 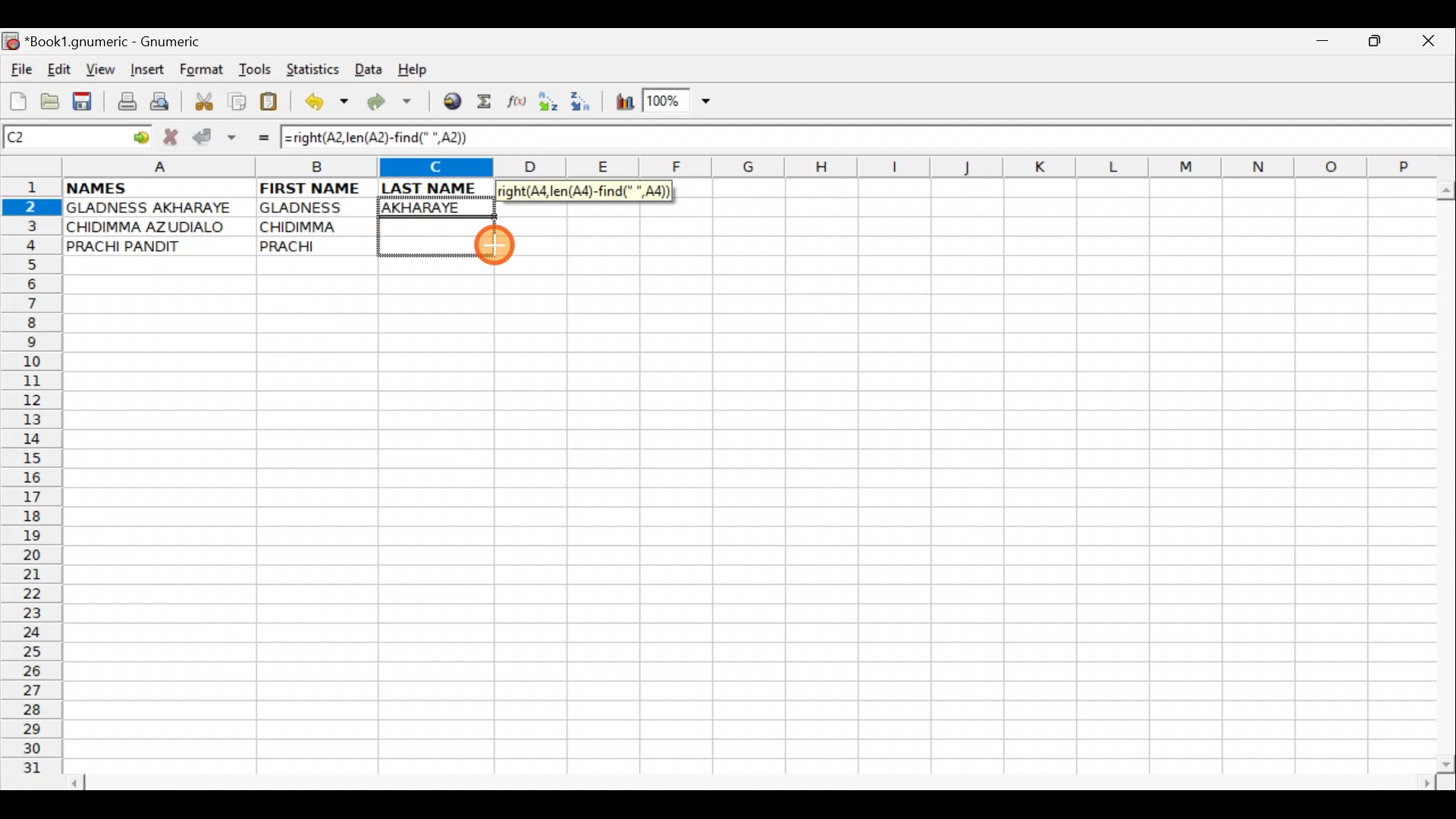 What do you see at coordinates (313, 208) in the screenshot?
I see `GLADNESS` at bounding box center [313, 208].